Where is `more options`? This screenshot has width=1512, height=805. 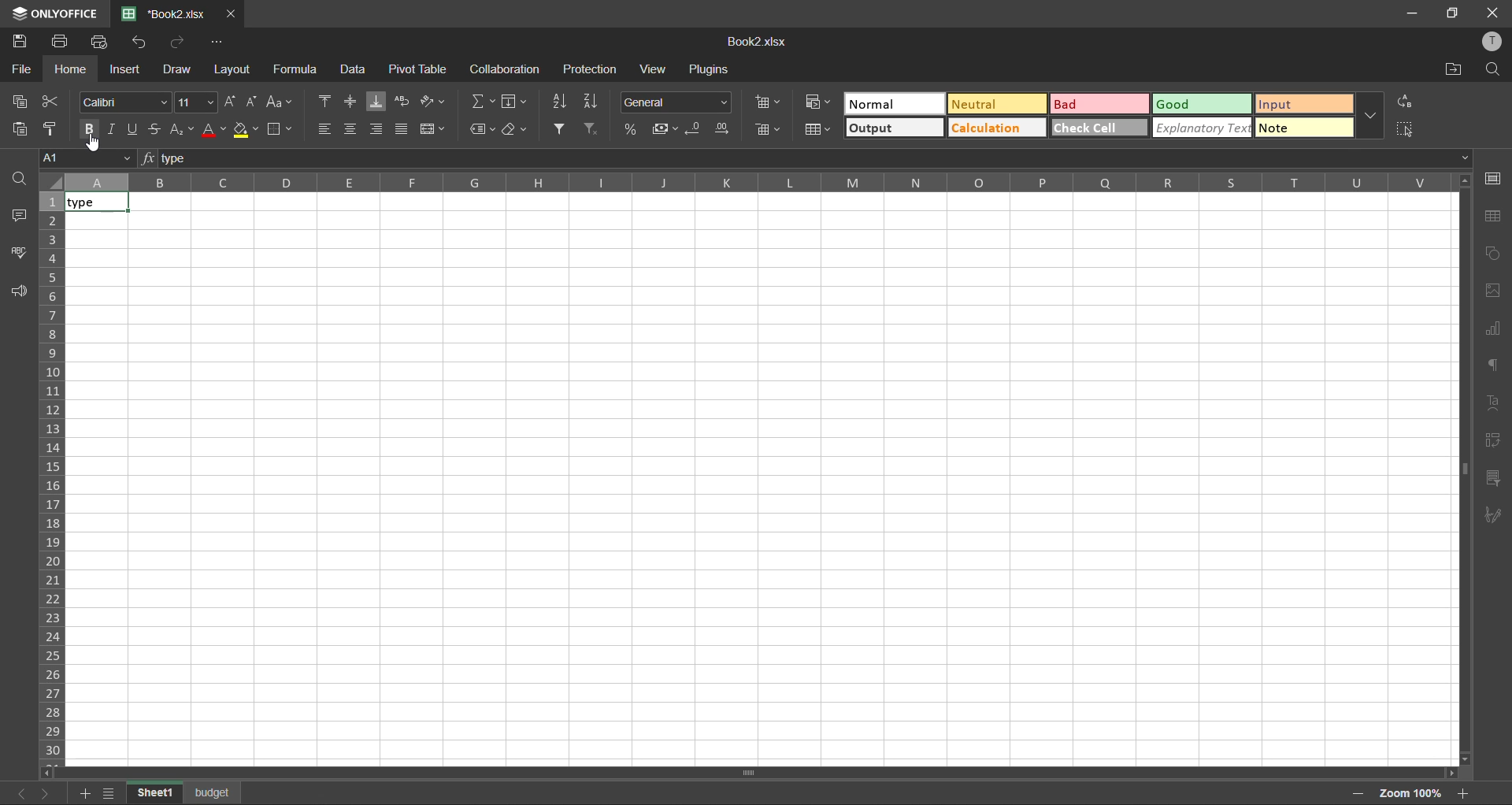 more options is located at coordinates (1371, 115).